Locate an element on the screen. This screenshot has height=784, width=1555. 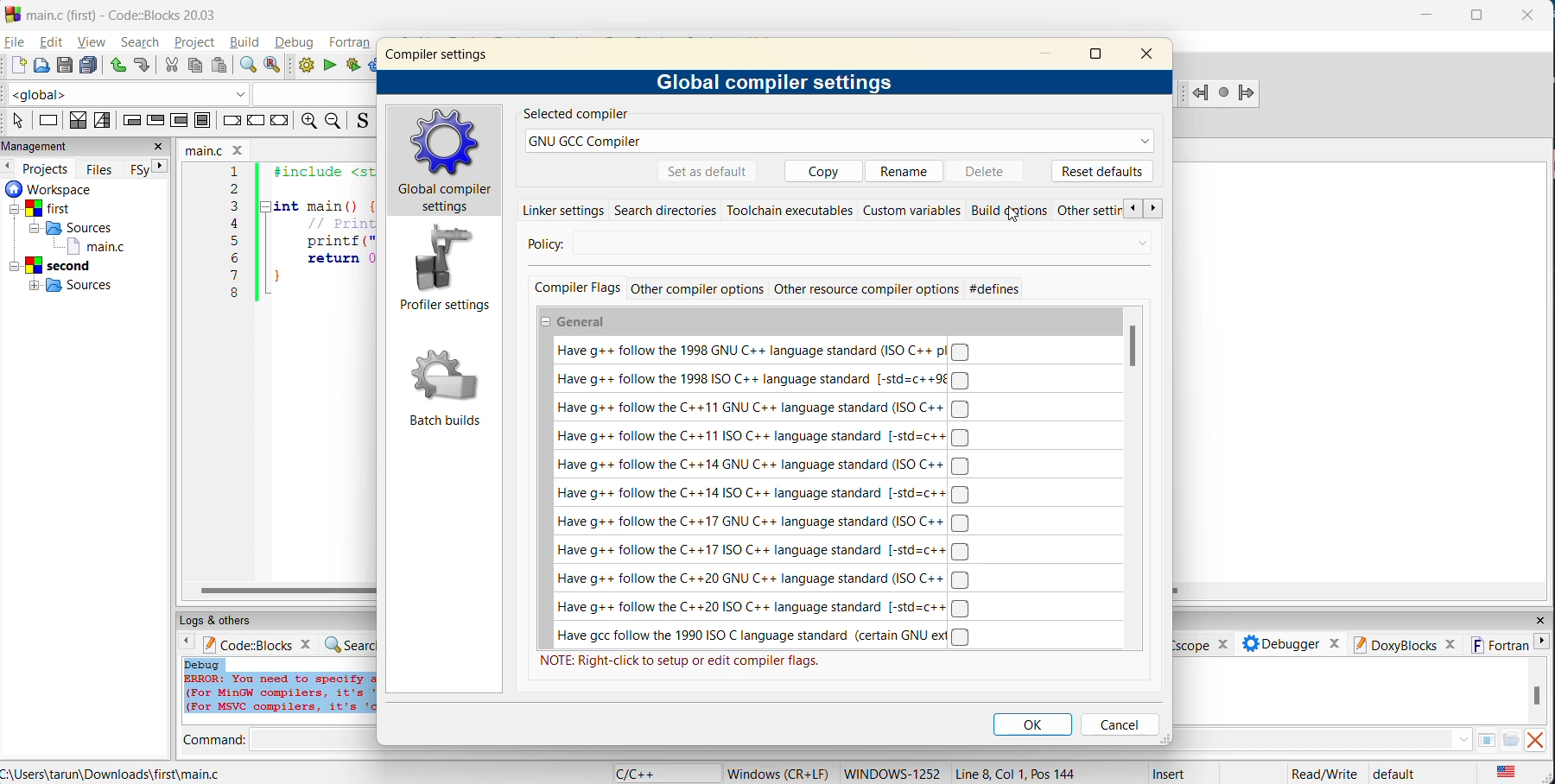
find is located at coordinates (247, 67).